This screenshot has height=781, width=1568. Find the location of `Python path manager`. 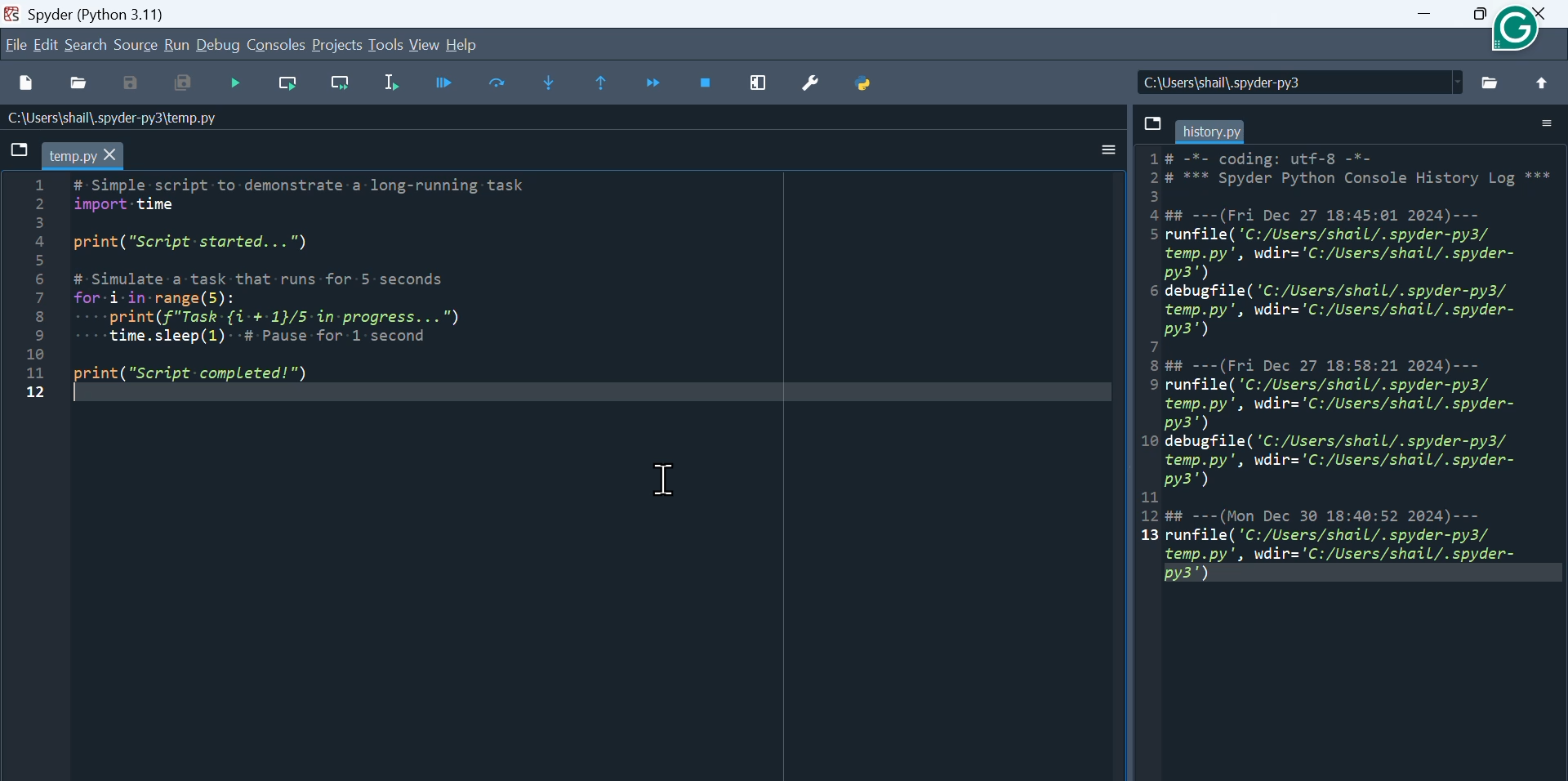

Python path manager is located at coordinates (875, 84).